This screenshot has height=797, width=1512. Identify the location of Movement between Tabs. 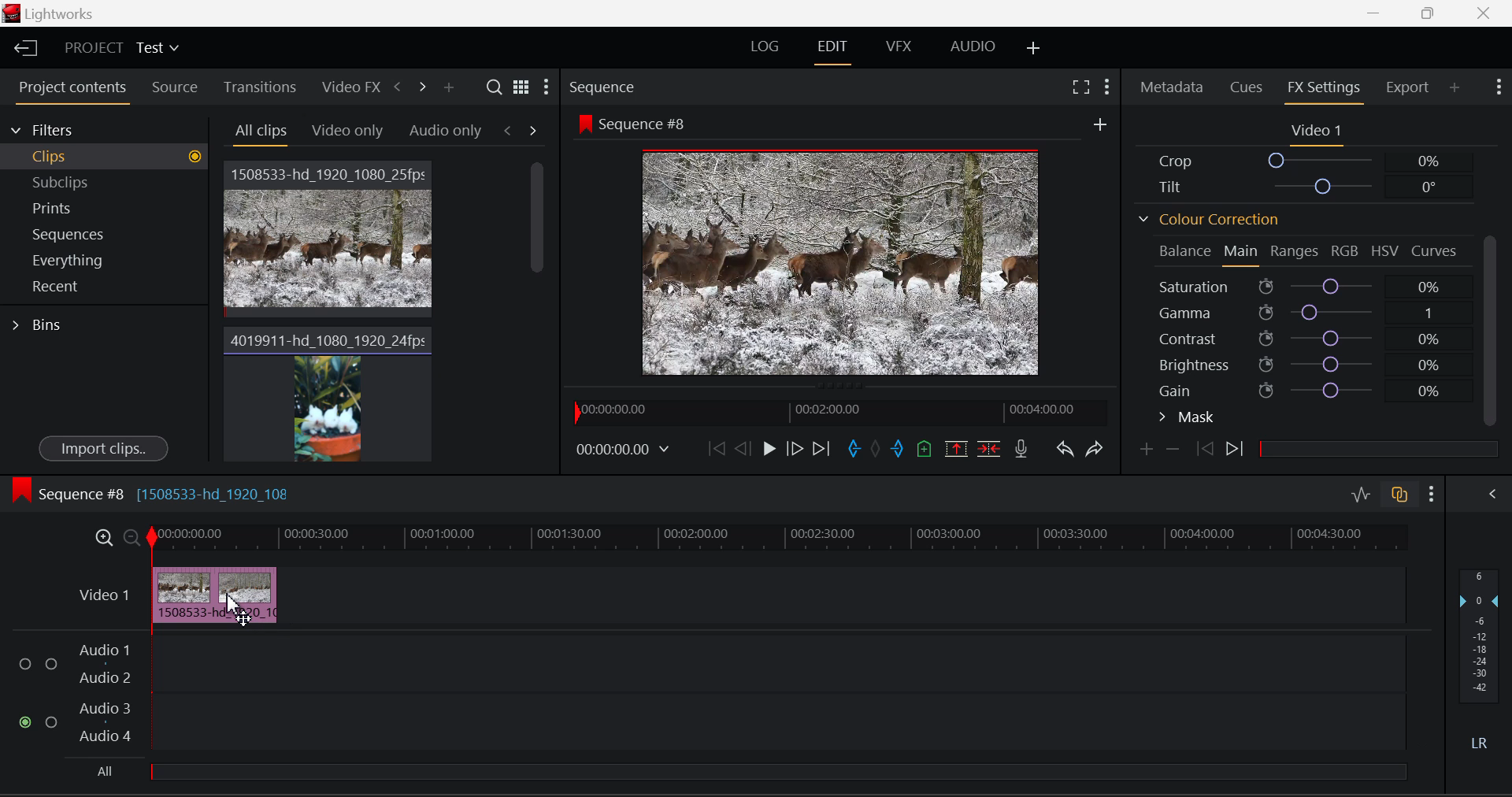
(521, 131).